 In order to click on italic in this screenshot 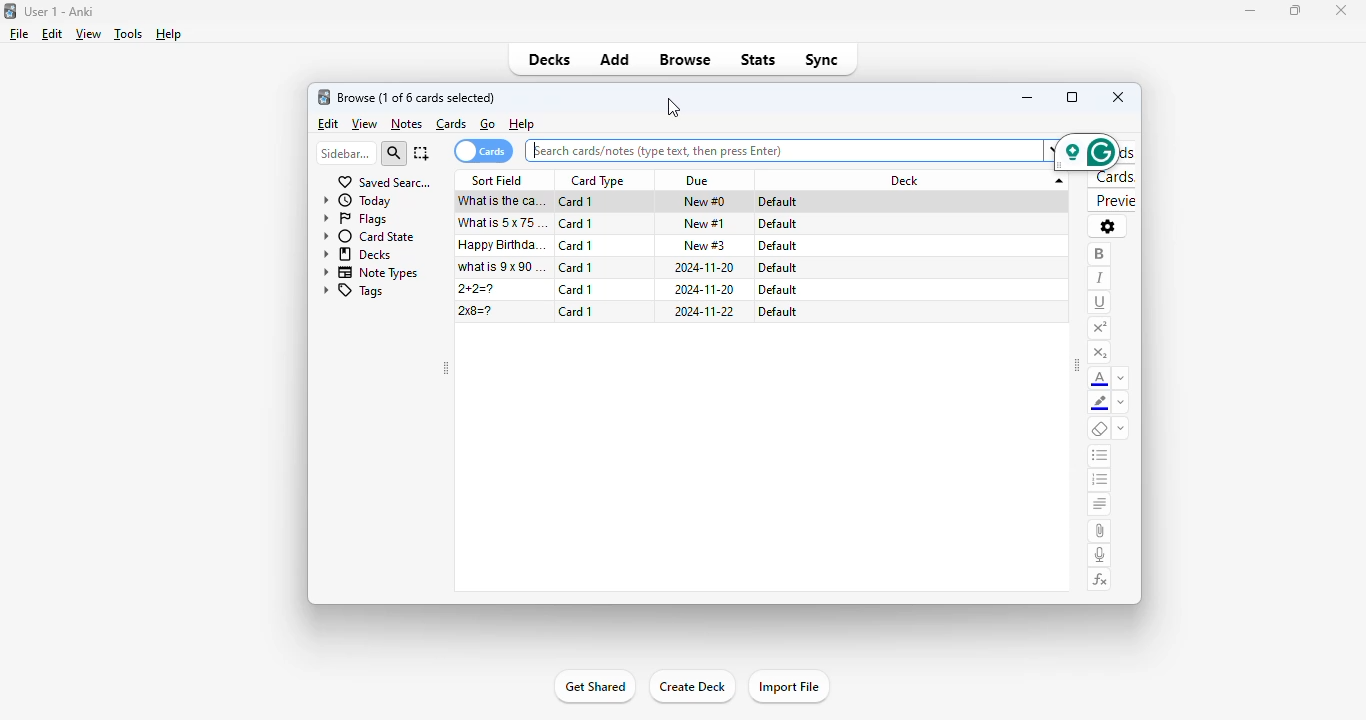, I will do `click(1100, 279)`.